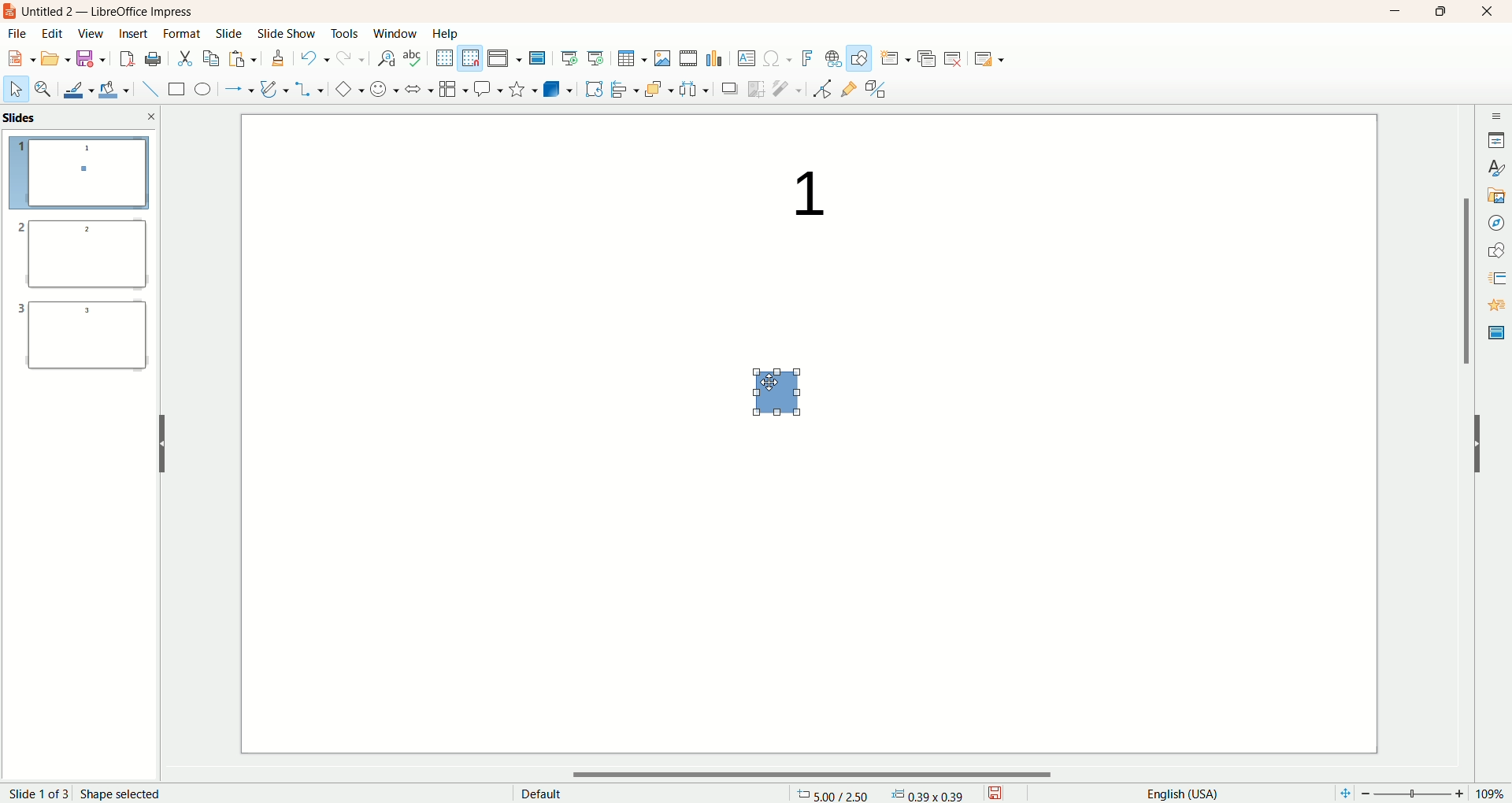 This screenshot has height=803, width=1512. Describe the element at coordinates (21, 57) in the screenshot. I see `new` at that location.